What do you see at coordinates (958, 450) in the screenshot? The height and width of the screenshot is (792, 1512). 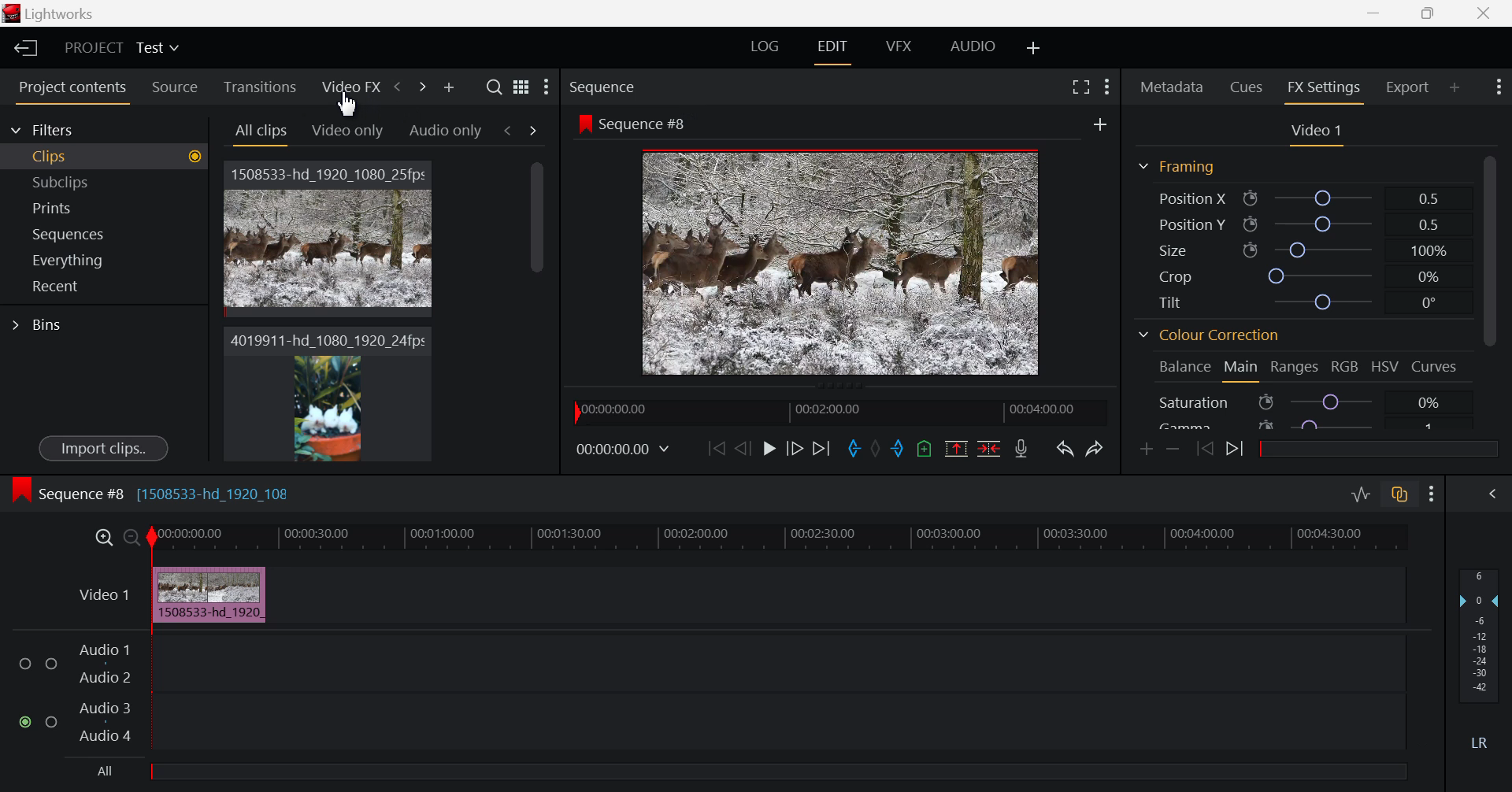 I see `Remove marked section` at bounding box center [958, 450].